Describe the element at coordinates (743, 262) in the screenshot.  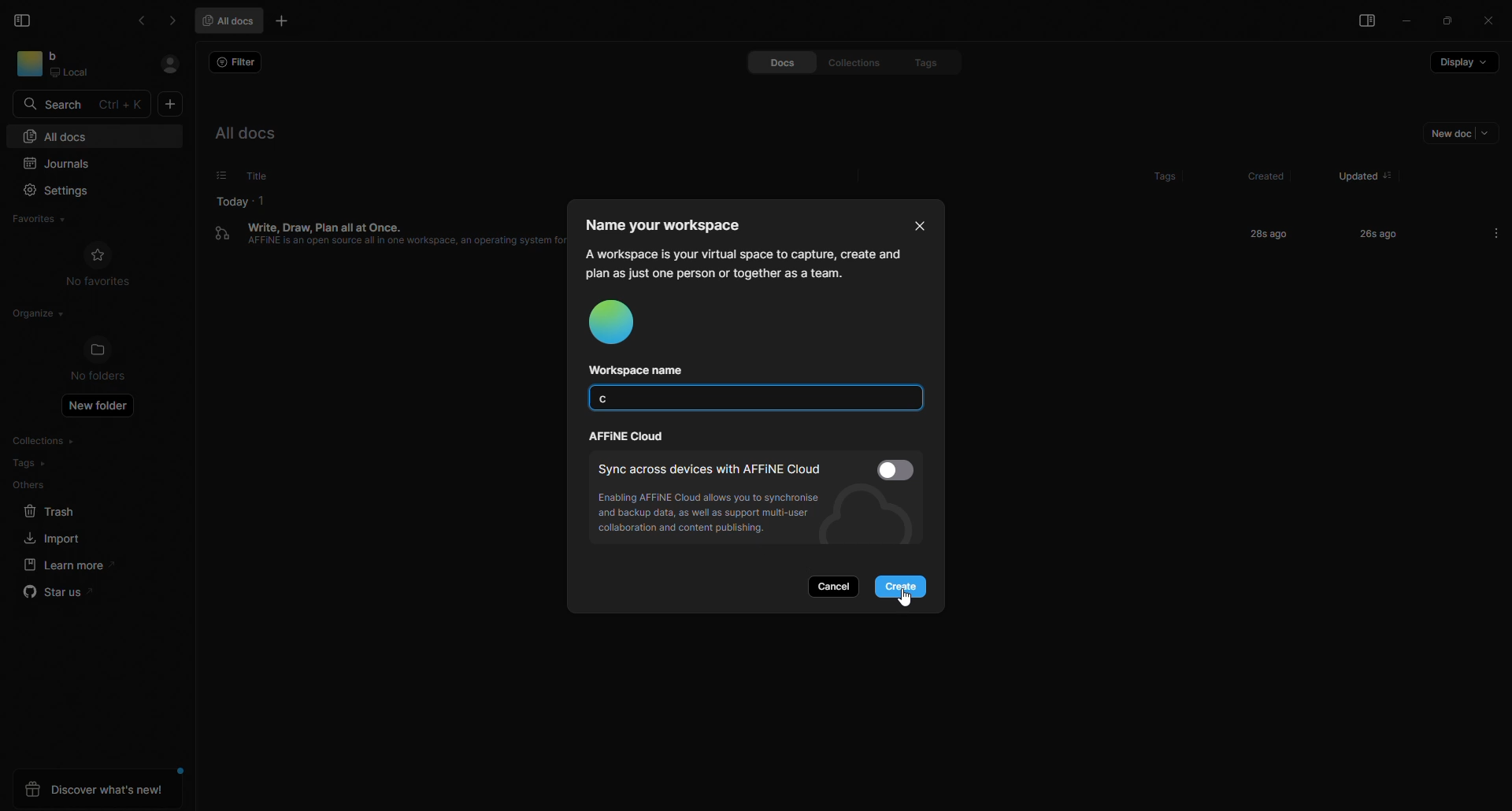
I see `info` at that location.